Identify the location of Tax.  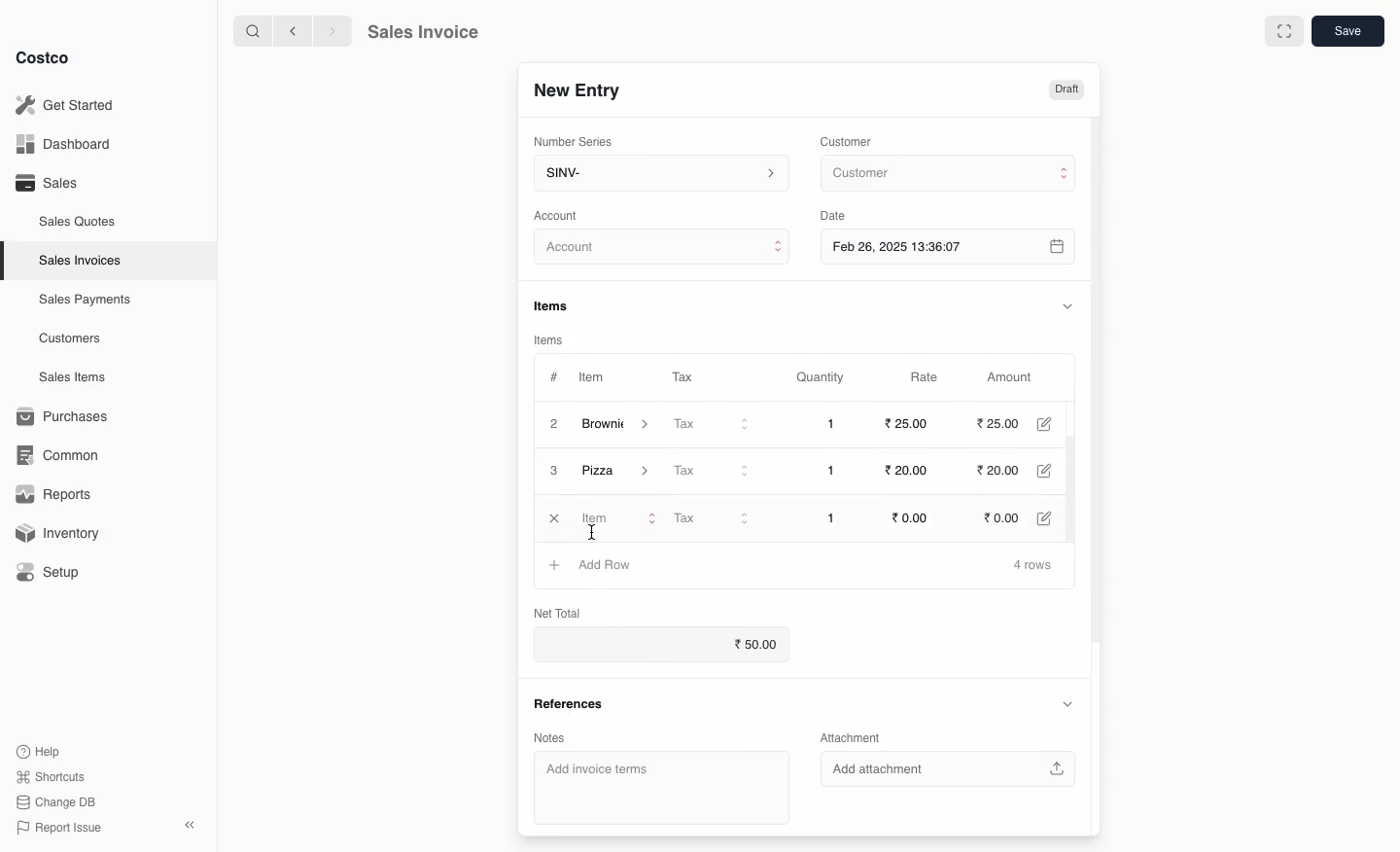
(713, 470).